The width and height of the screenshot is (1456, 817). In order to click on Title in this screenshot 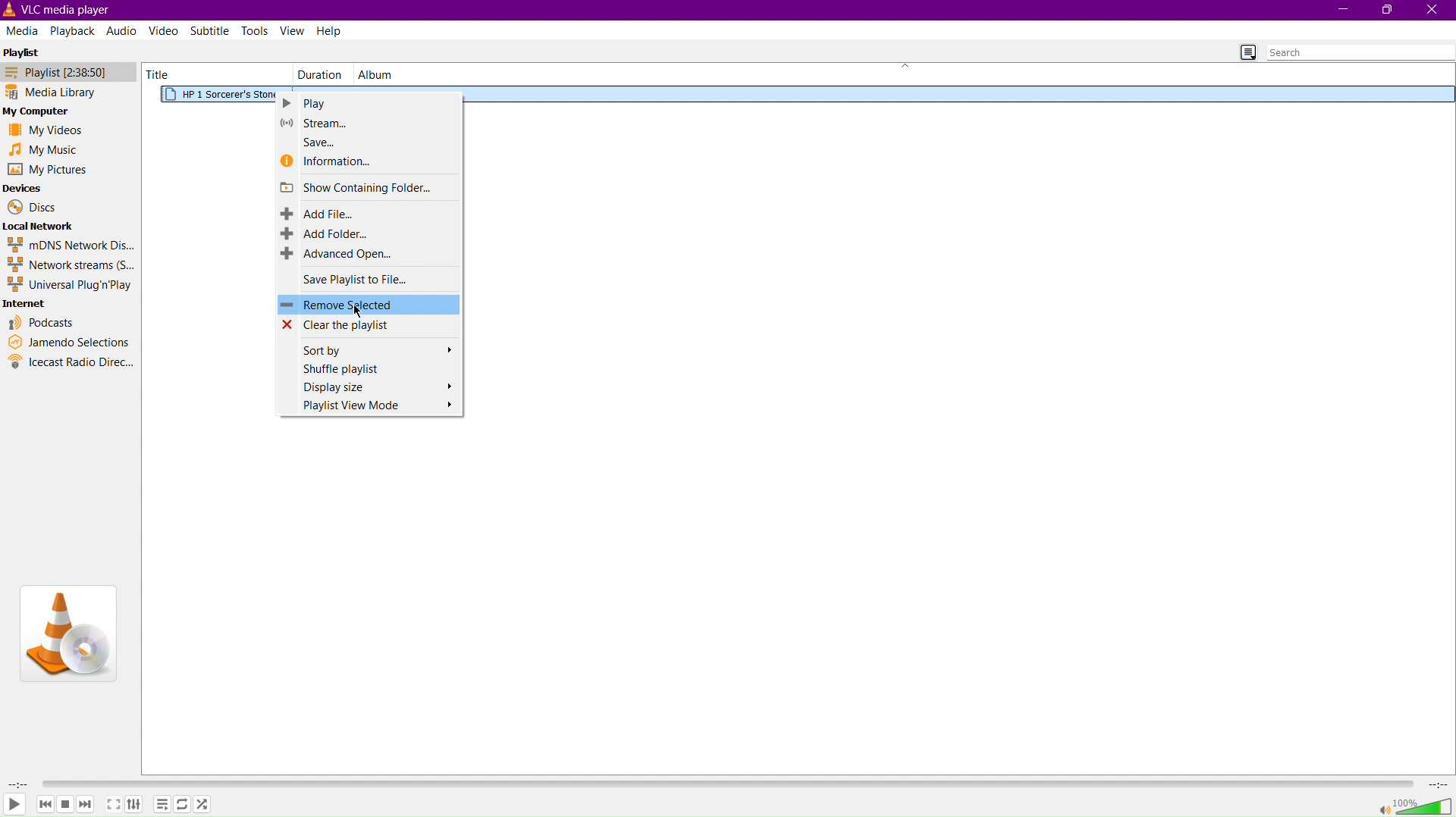, I will do `click(162, 74)`.